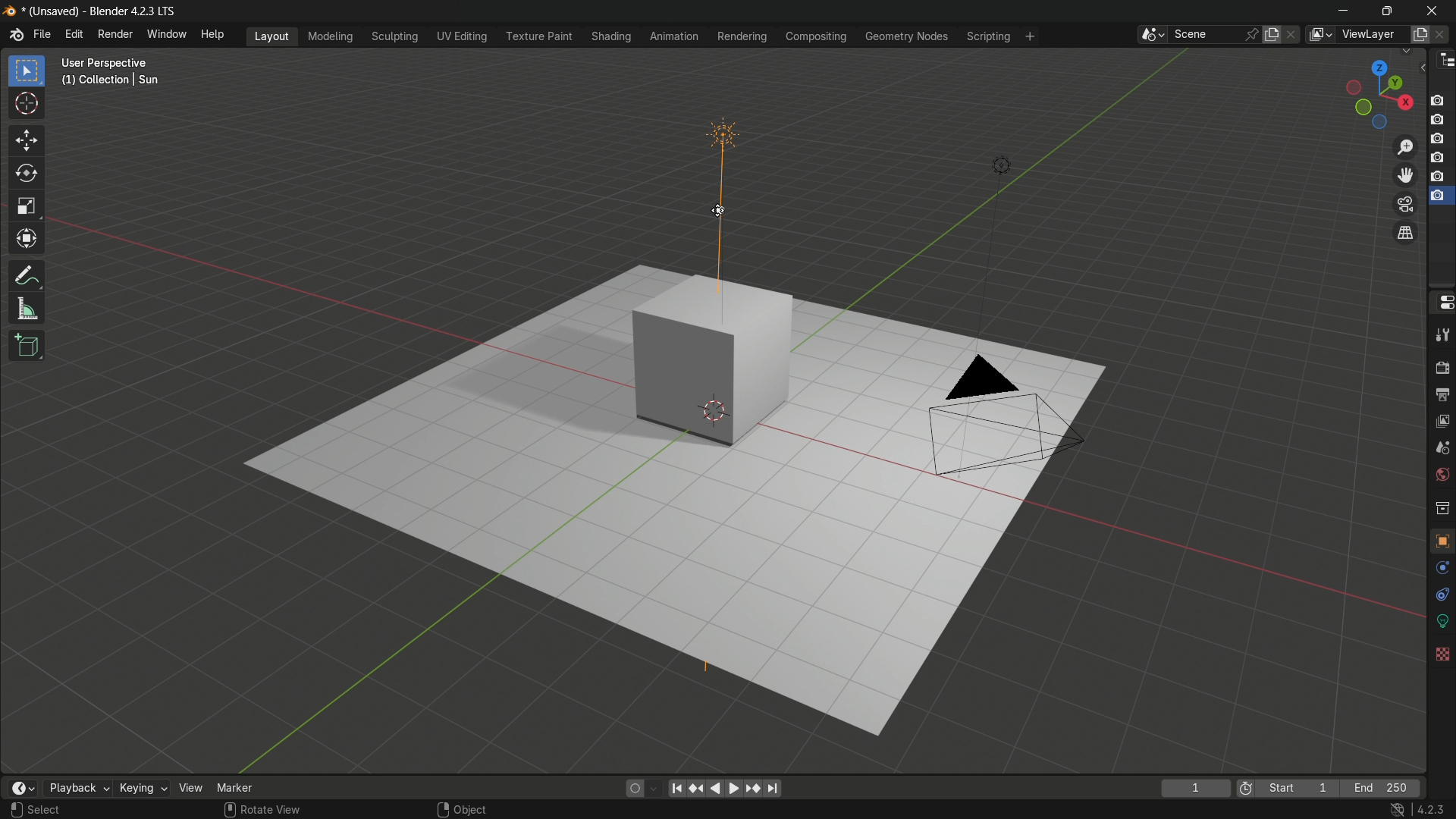  Describe the element at coordinates (1253, 32) in the screenshot. I see `pin scene to workplace` at that location.